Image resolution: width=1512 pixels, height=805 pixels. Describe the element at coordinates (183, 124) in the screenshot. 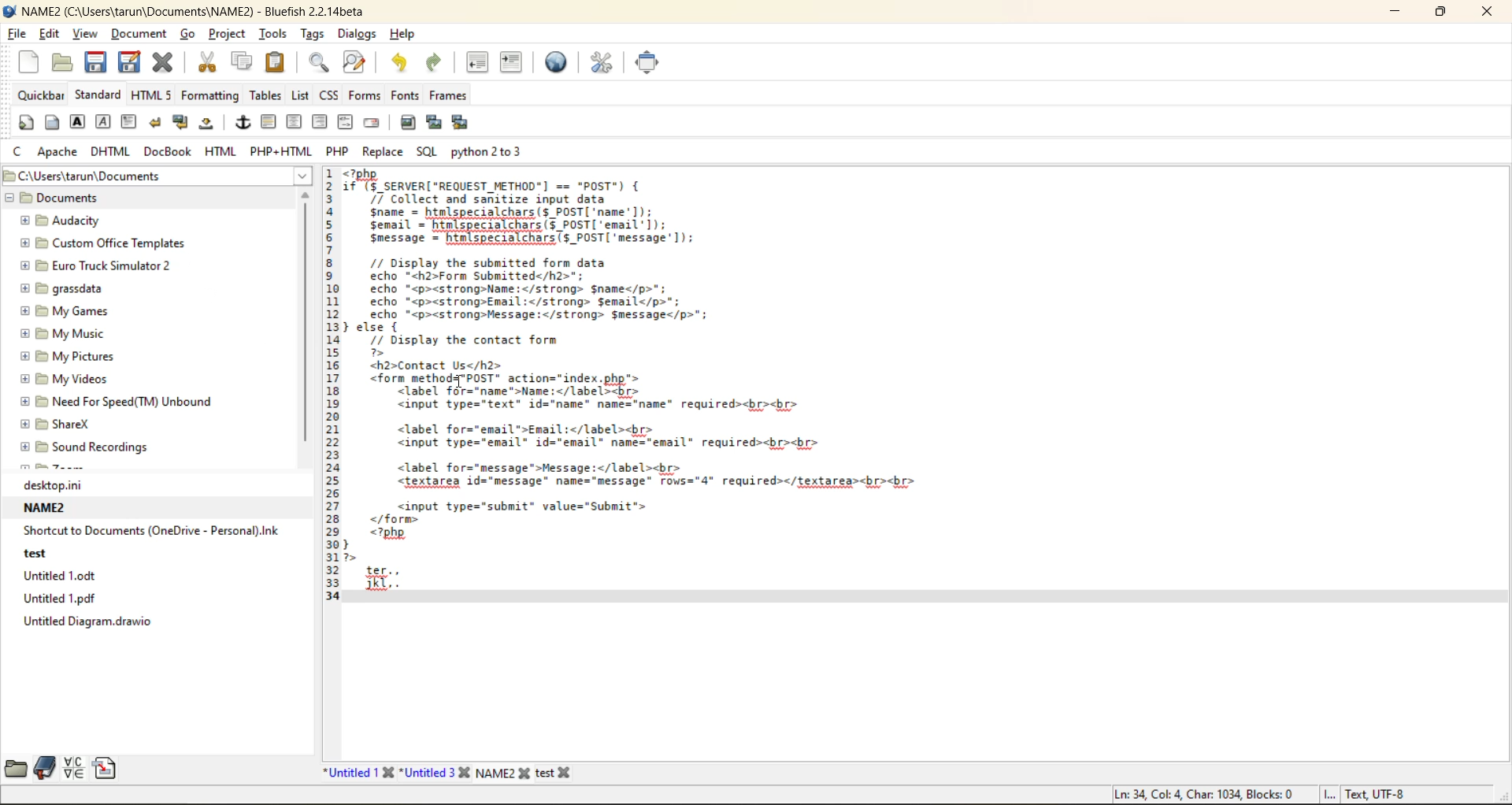

I see `break and clear` at that location.